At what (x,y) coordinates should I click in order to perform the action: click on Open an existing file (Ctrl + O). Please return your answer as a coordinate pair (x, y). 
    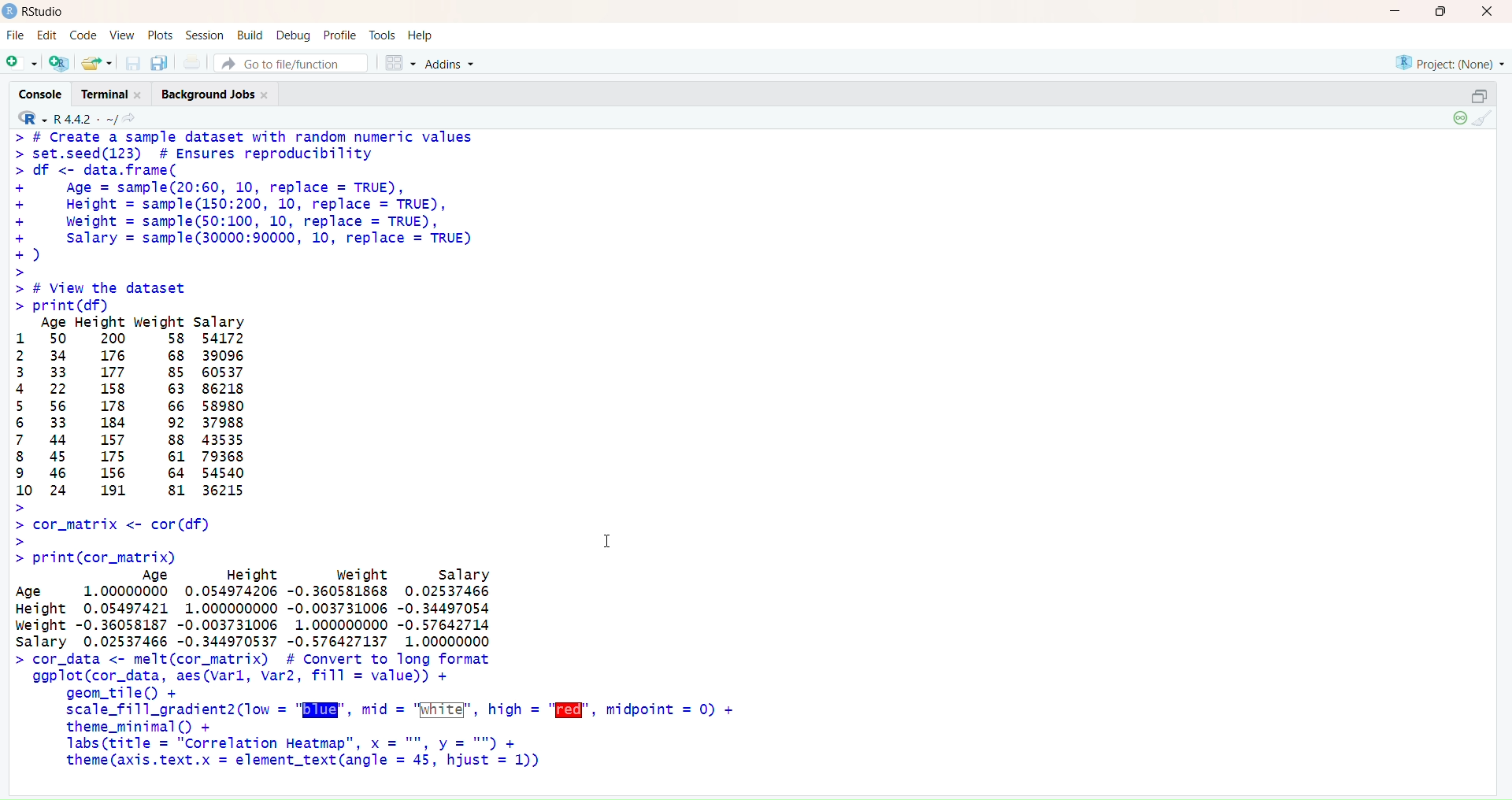
    Looking at the image, I should click on (95, 62).